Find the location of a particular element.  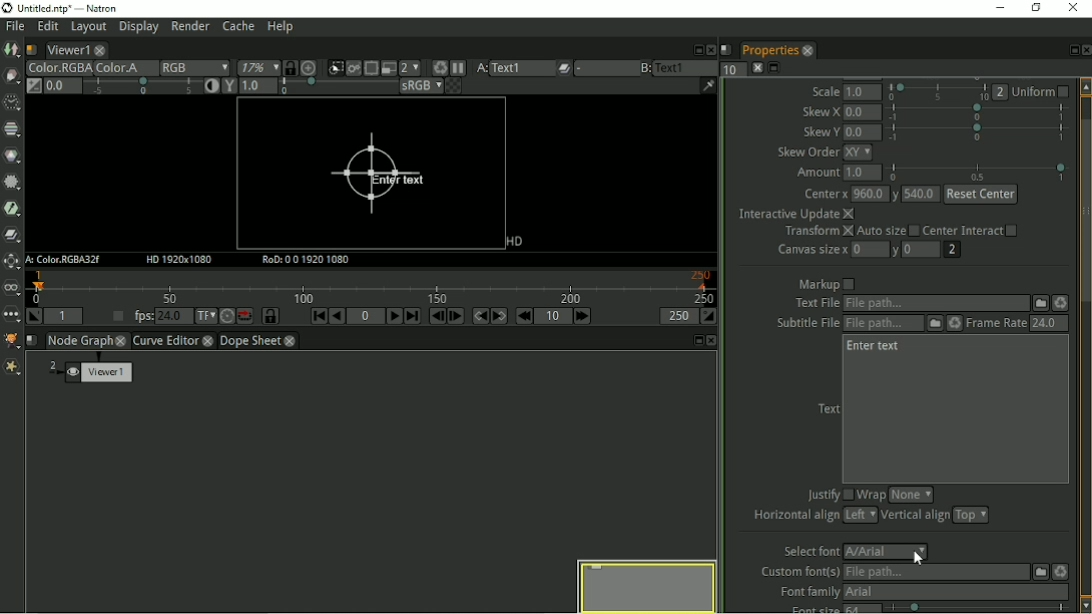

1.0 is located at coordinates (863, 174).